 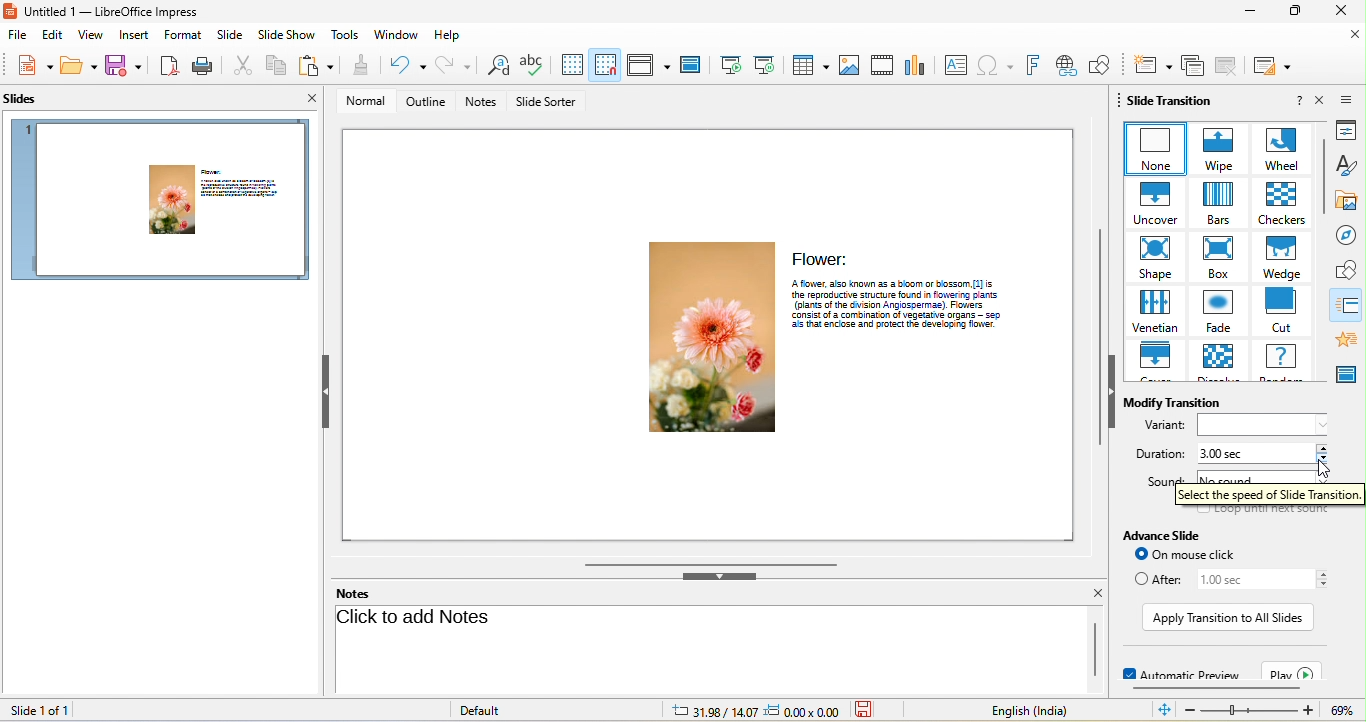 What do you see at coordinates (448, 36) in the screenshot?
I see `help` at bounding box center [448, 36].